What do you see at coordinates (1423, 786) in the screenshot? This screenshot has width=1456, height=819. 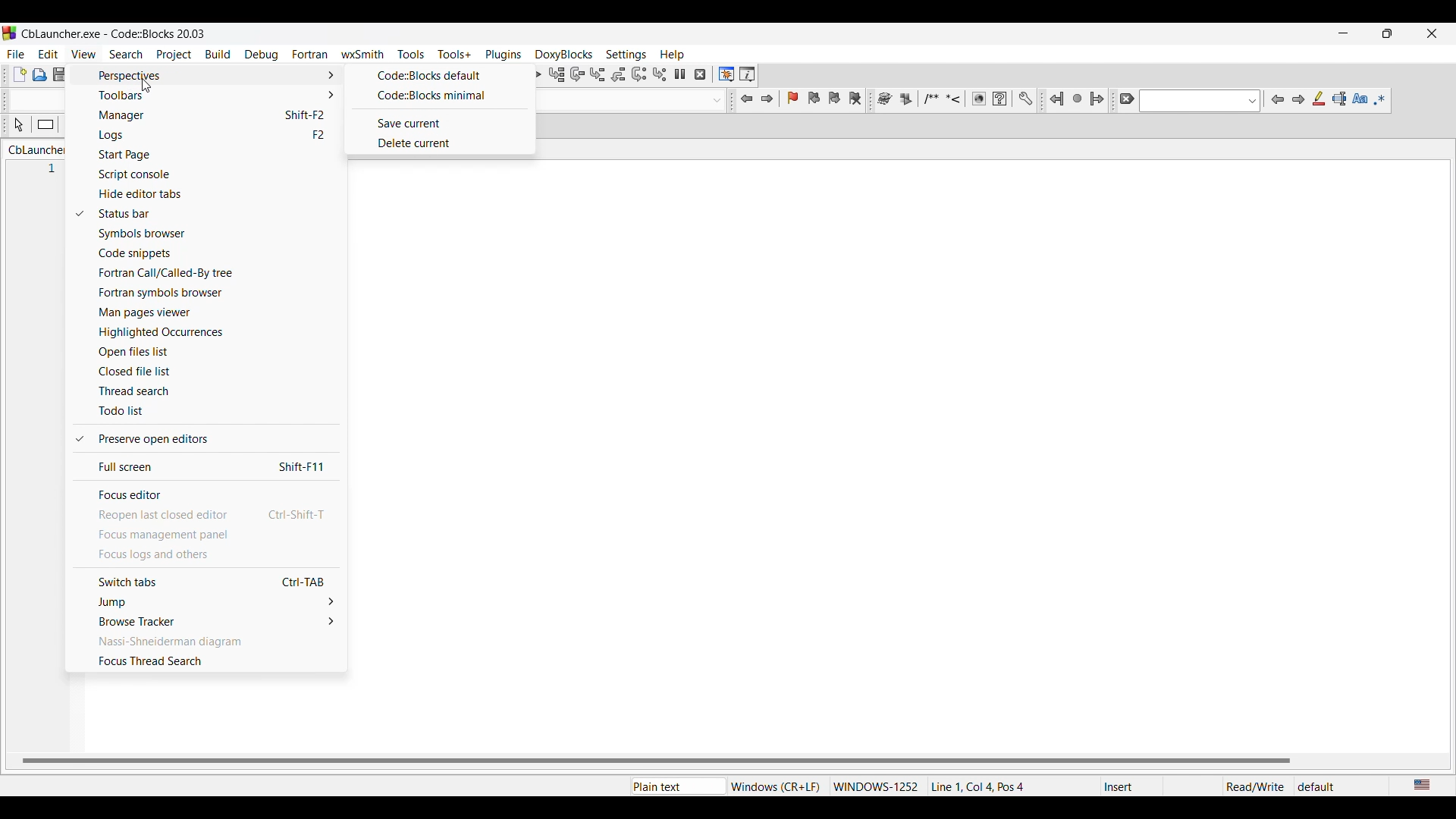 I see `Current language` at bounding box center [1423, 786].